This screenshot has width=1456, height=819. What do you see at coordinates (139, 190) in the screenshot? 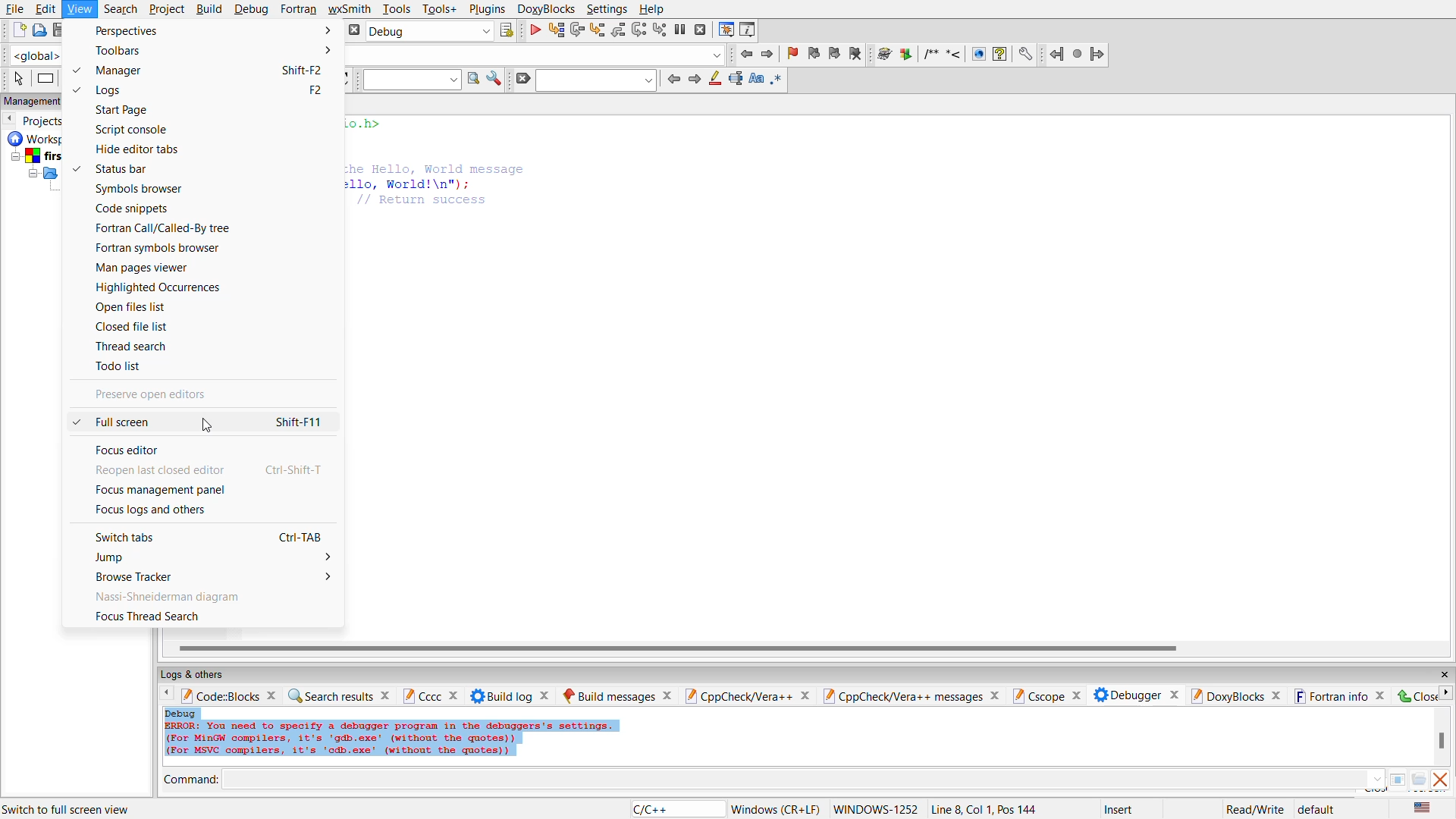
I see `symbols browser` at bounding box center [139, 190].